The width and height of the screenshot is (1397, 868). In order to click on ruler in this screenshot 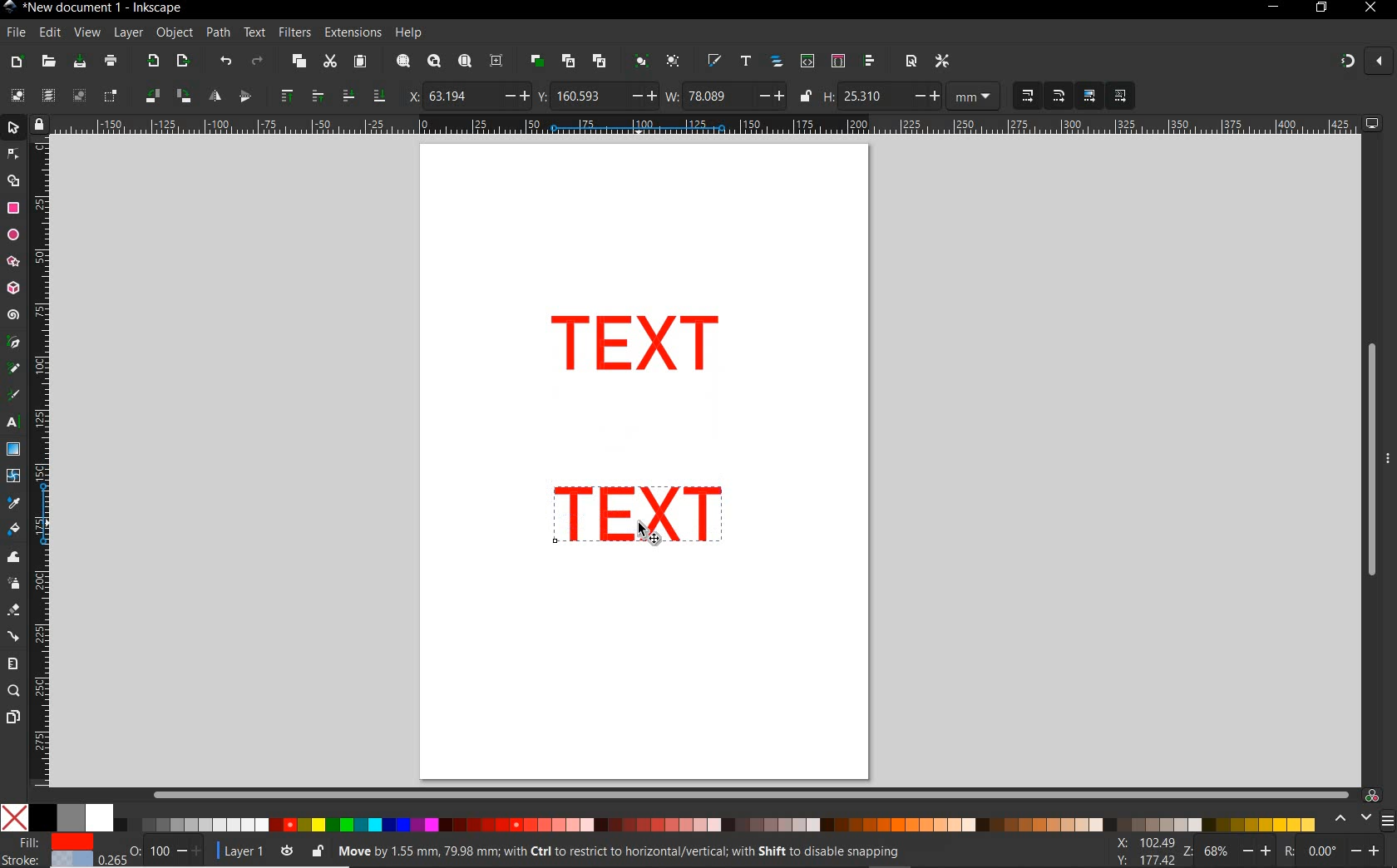, I will do `click(707, 126)`.